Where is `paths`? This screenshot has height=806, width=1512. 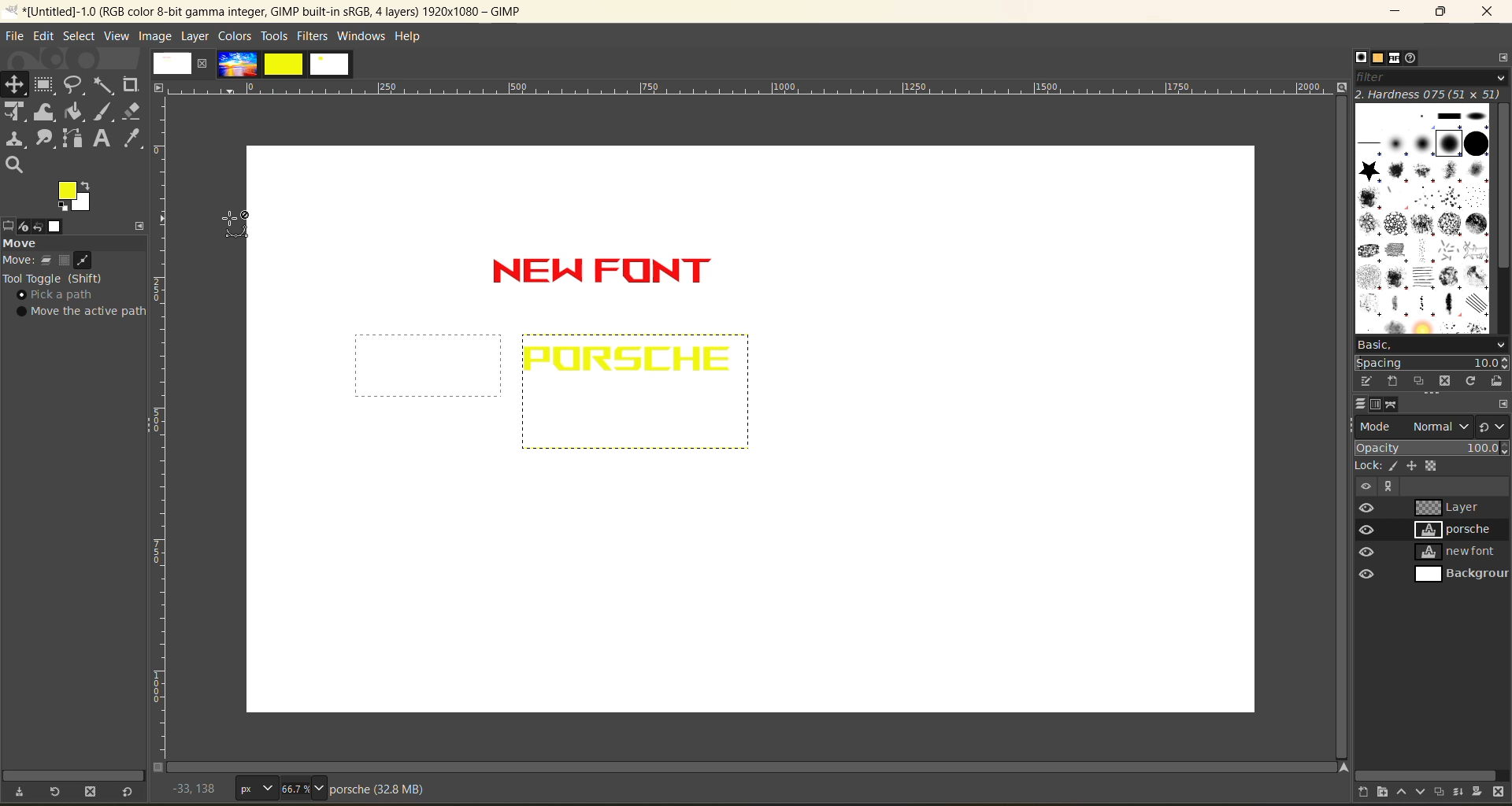 paths is located at coordinates (1399, 405).